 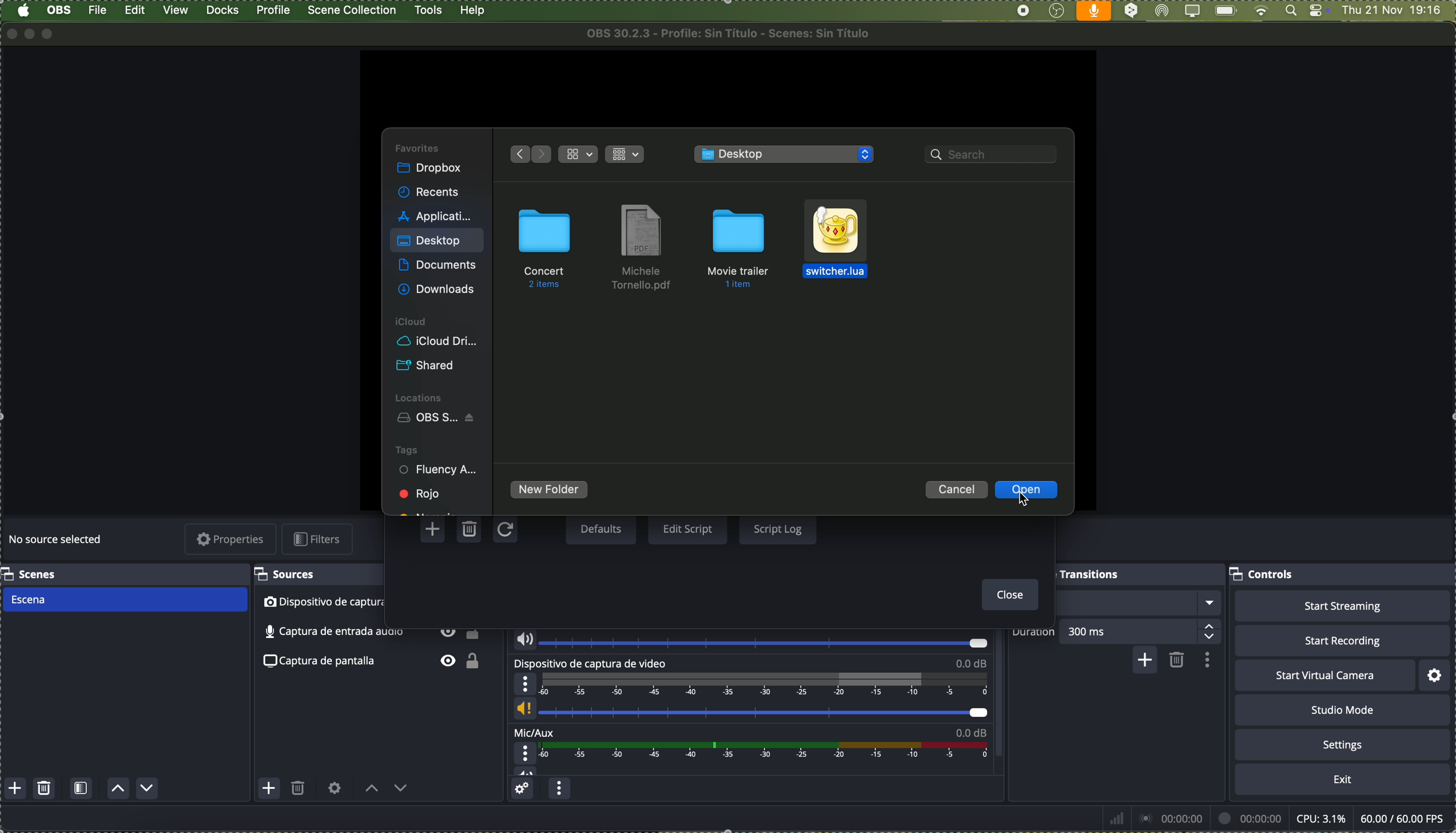 I want to click on close program, so click(x=9, y=33).